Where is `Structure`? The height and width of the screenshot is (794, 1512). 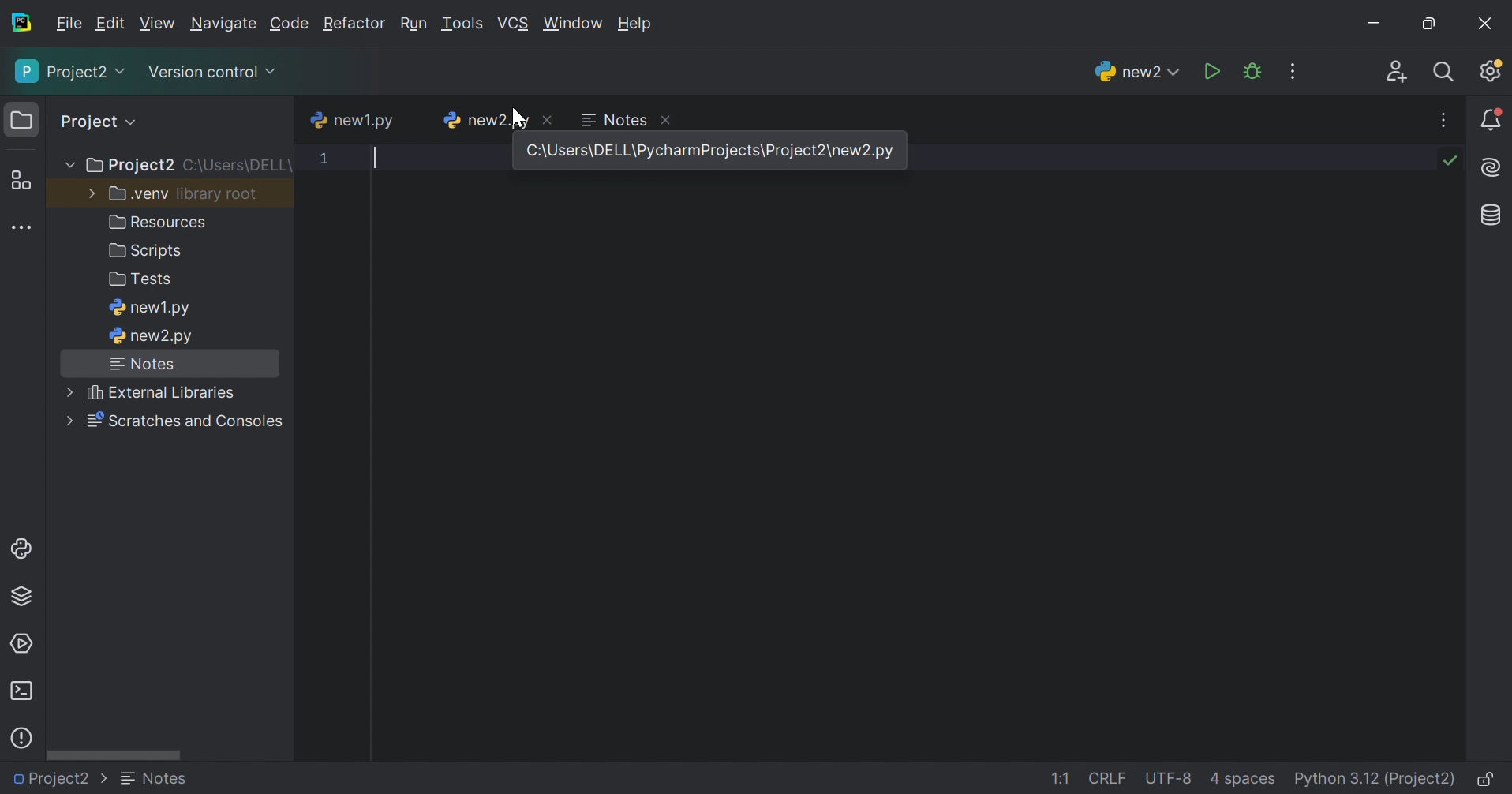 Structure is located at coordinates (20, 180).